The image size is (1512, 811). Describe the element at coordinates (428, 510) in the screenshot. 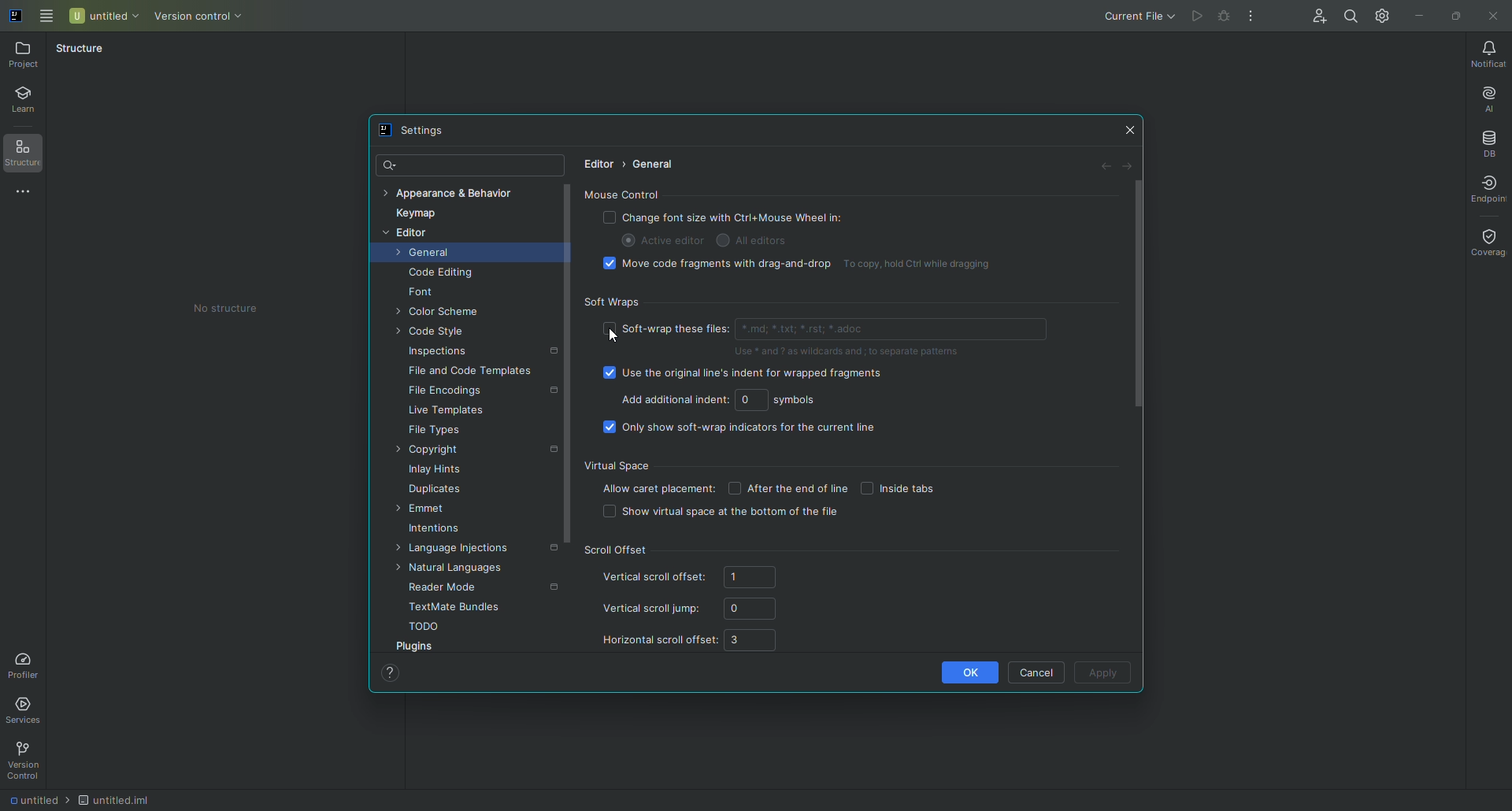

I see `Emmet` at that location.